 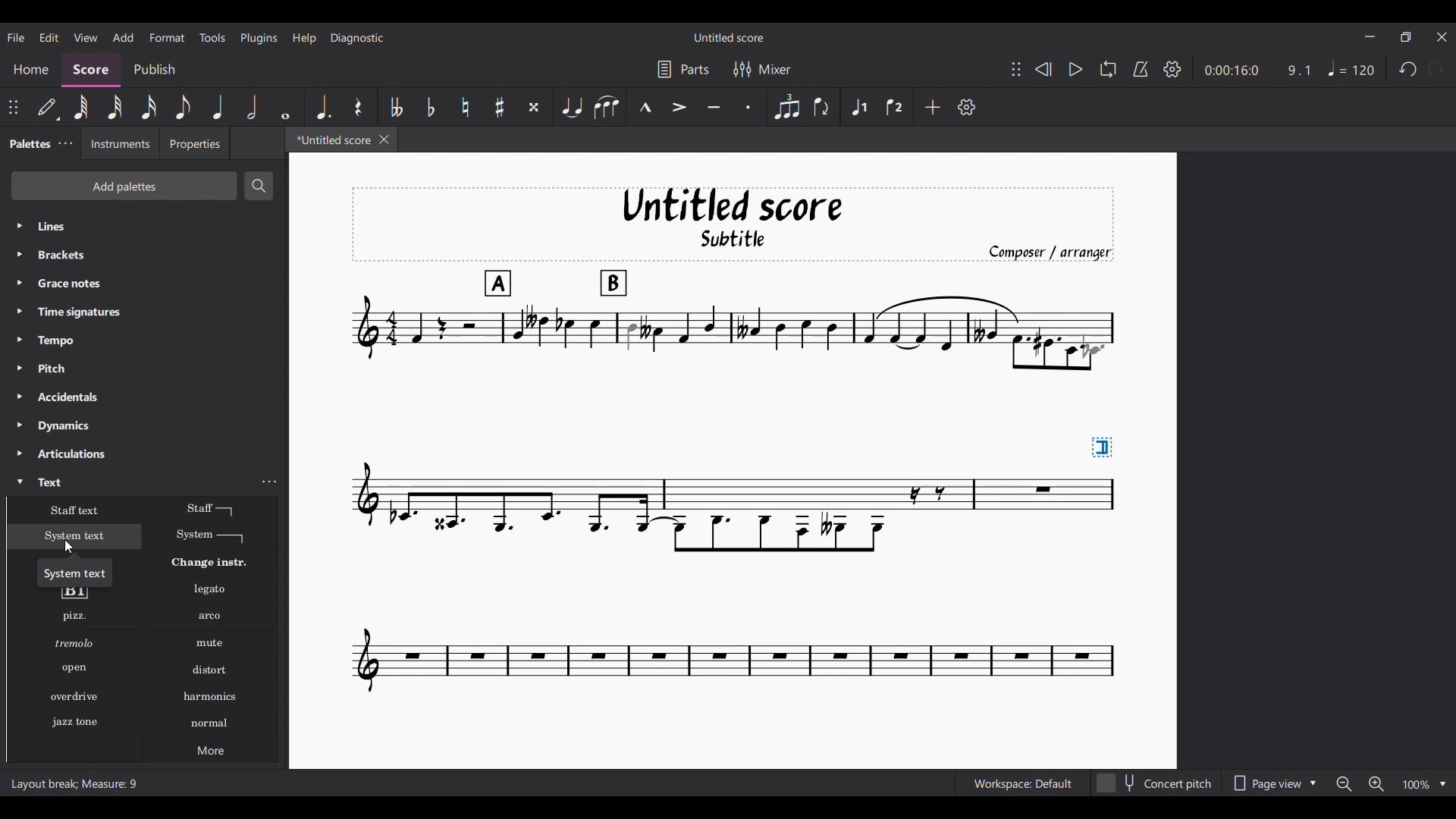 I want to click on Voice 1, so click(x=858, y=107).